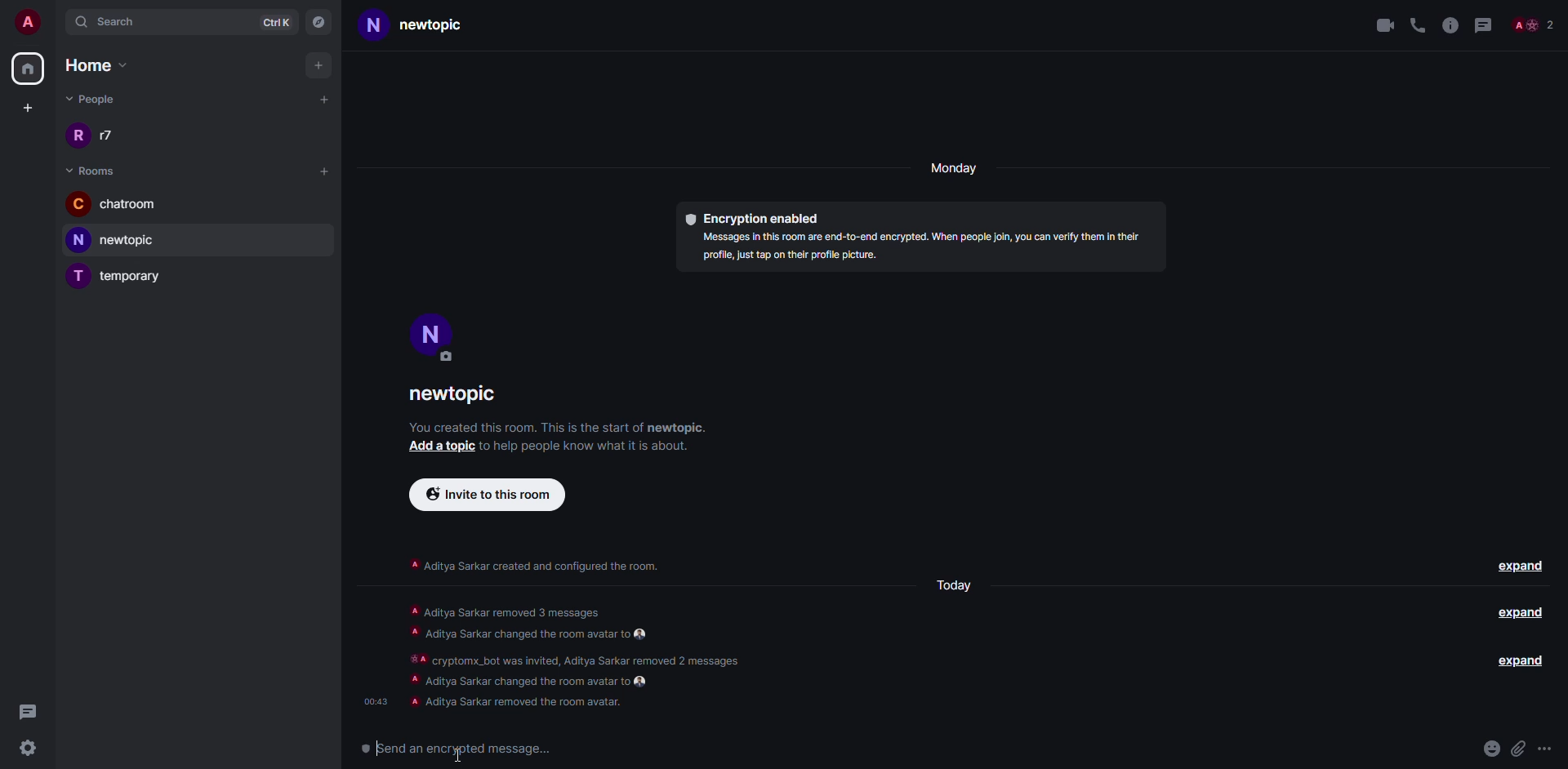 The image size is (1568, 769). What do you see at coordinates (1482, 23) in the screenshot?
I see `threads` at bounding box center [1482, 23].